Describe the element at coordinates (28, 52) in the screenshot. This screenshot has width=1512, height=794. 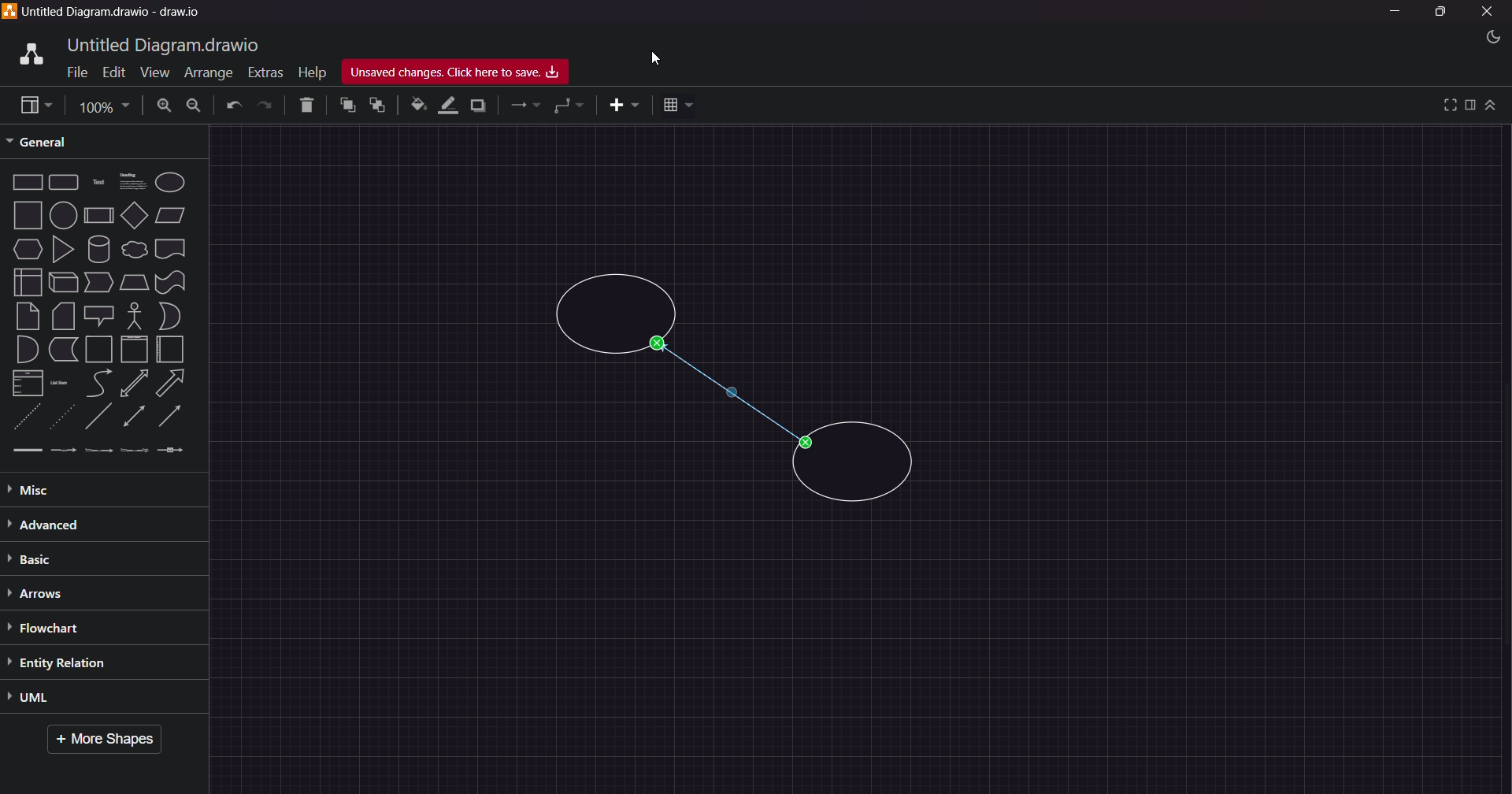
I see `logo` at that location.